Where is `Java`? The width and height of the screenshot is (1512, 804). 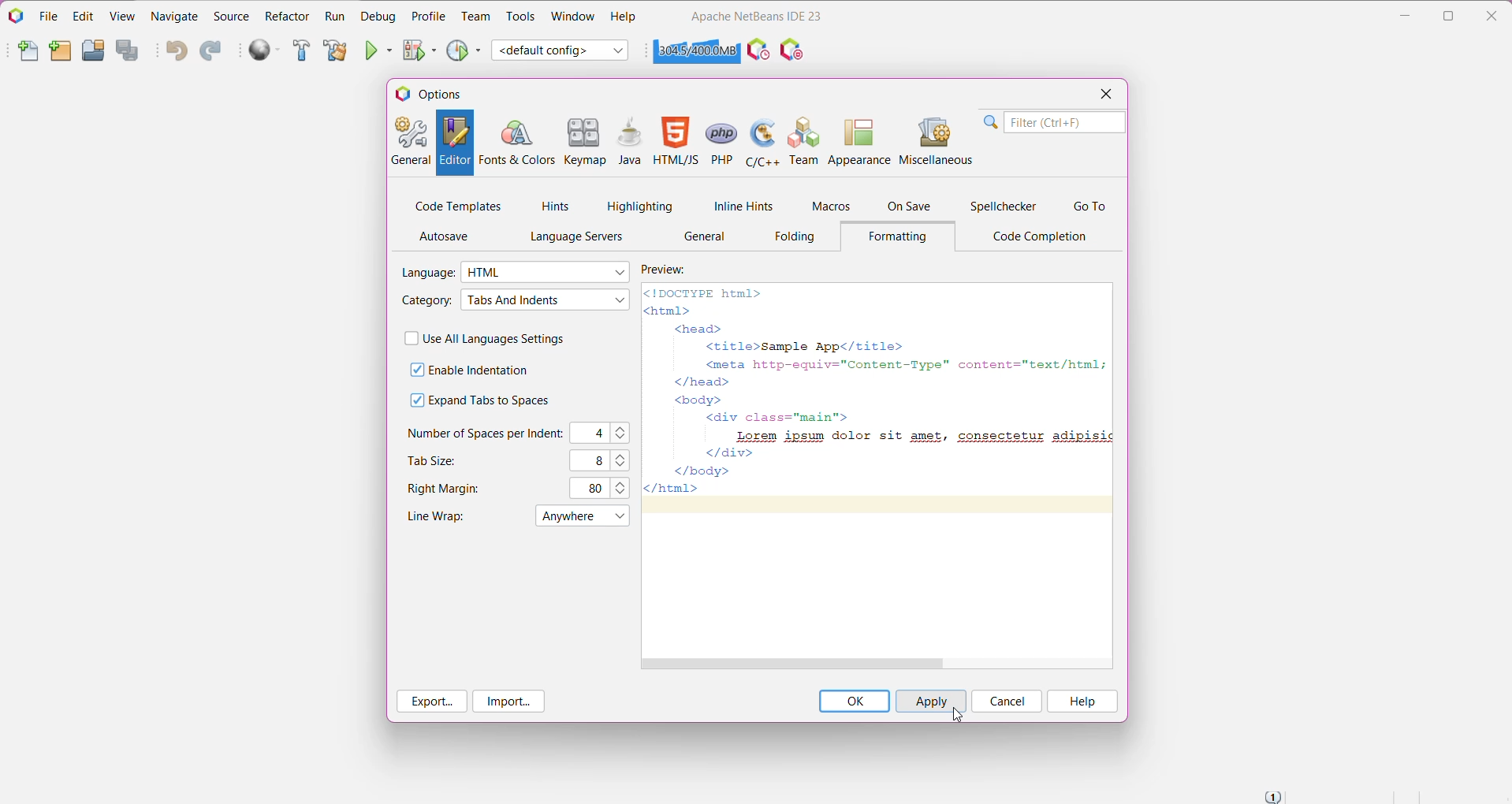
Java is located at coordinates (629, 143).